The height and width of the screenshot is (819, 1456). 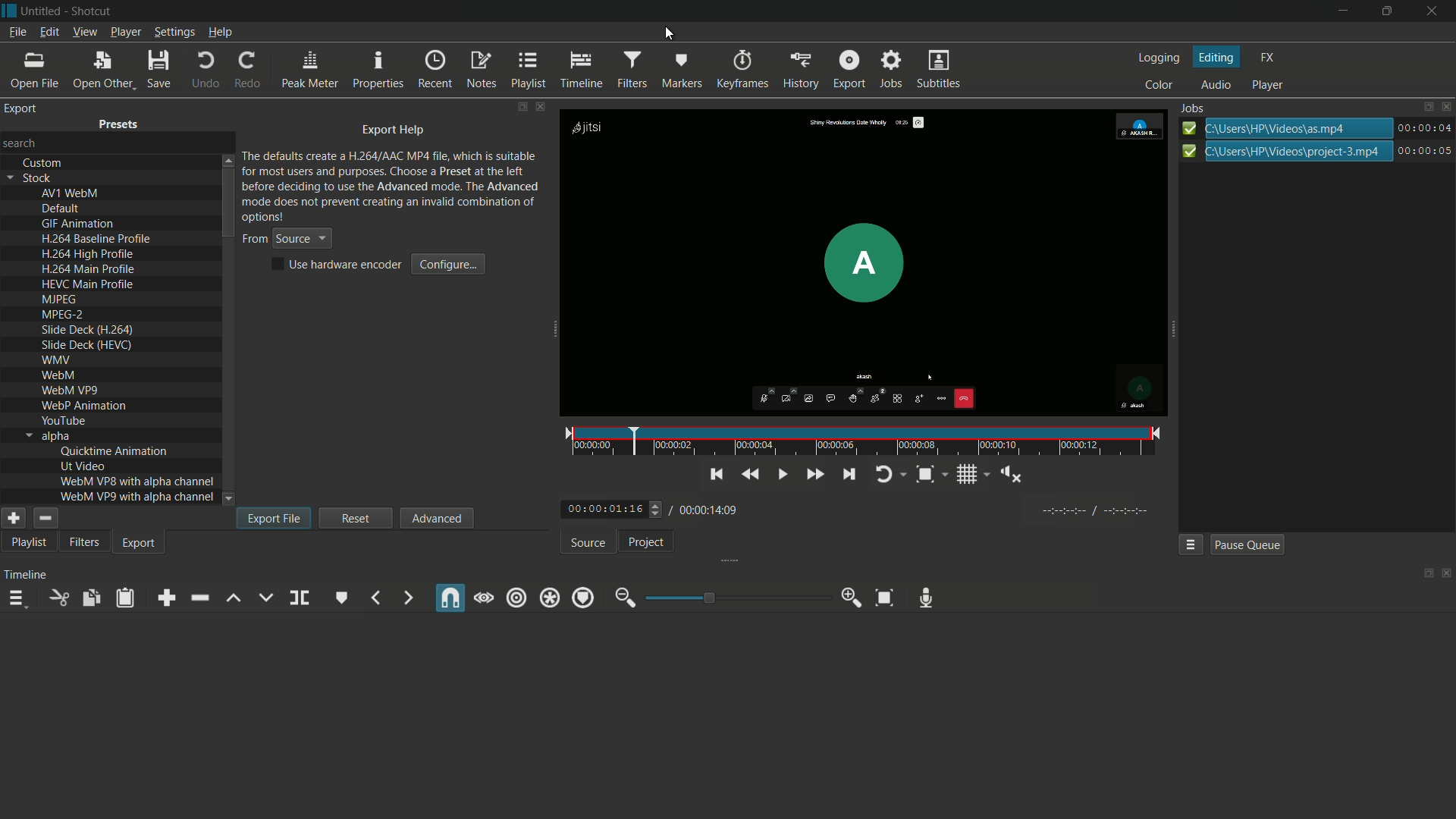 What do you see at coordinates (1015, 473) in the screenshot?
I see `show volume control` at bounding box center [1015, 473].